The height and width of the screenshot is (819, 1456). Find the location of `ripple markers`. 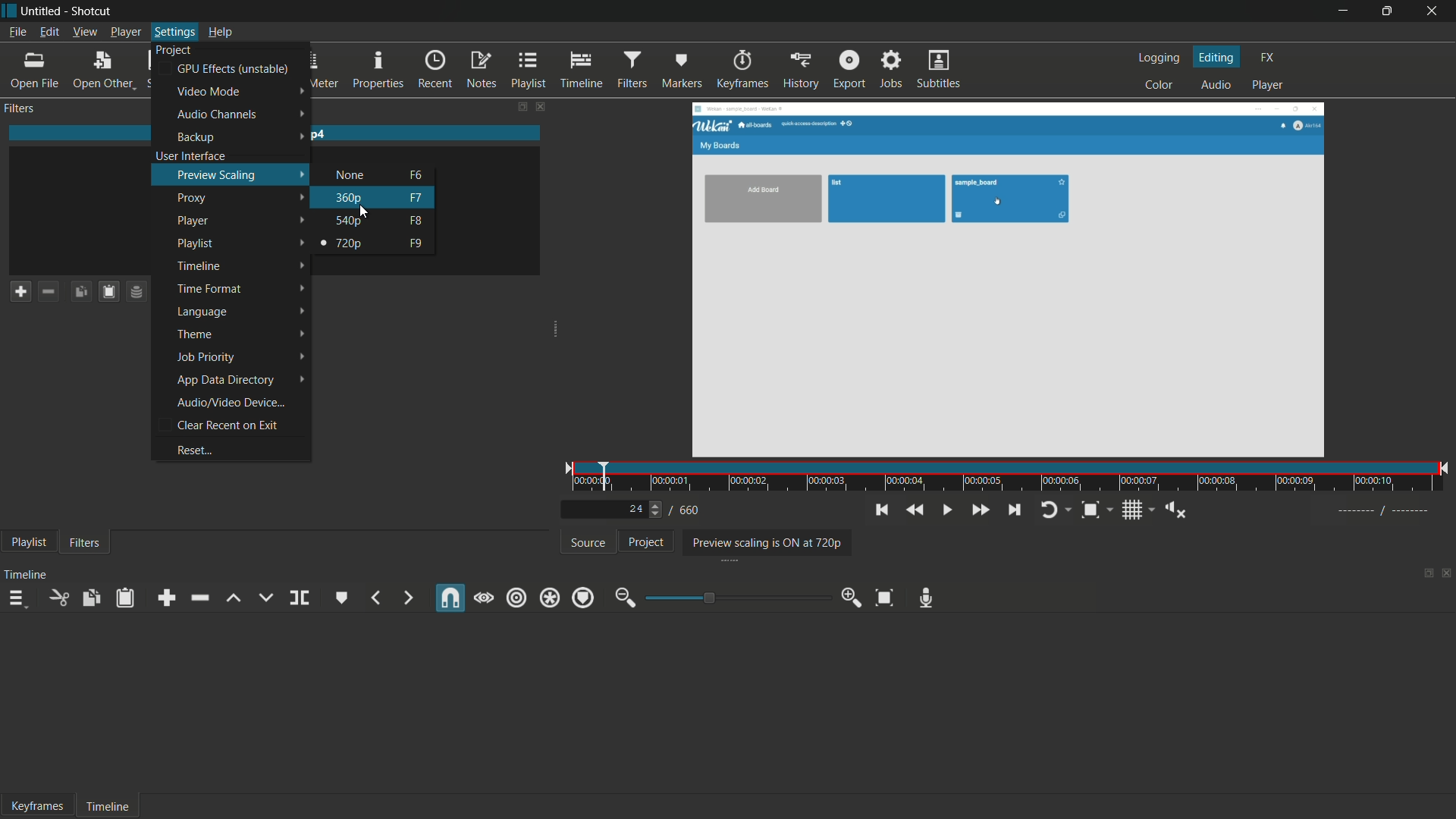

ripple markers is located at coordinates (583, 598).